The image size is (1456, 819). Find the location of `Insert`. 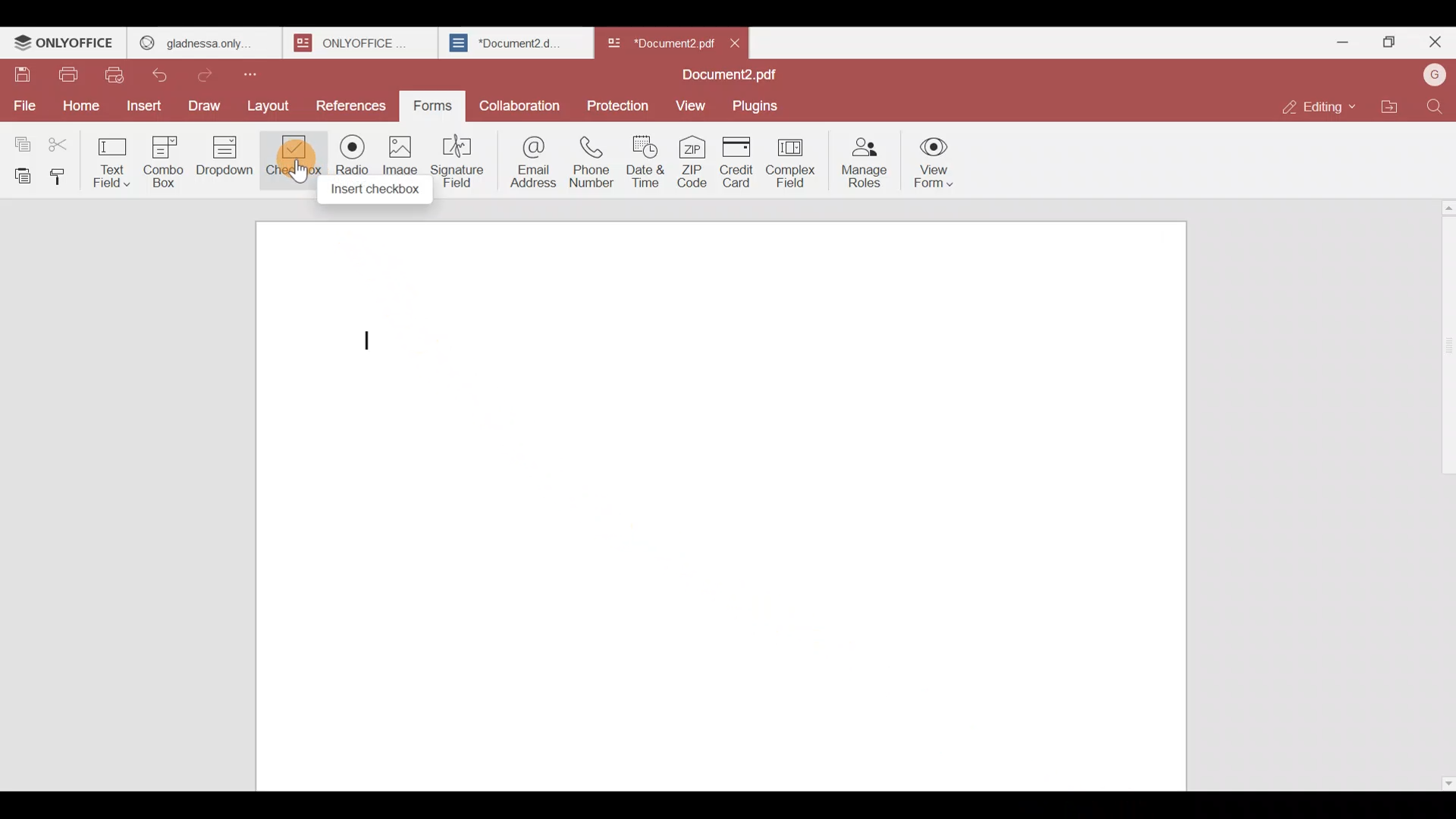

Insert is located at coordinates (142, 105).